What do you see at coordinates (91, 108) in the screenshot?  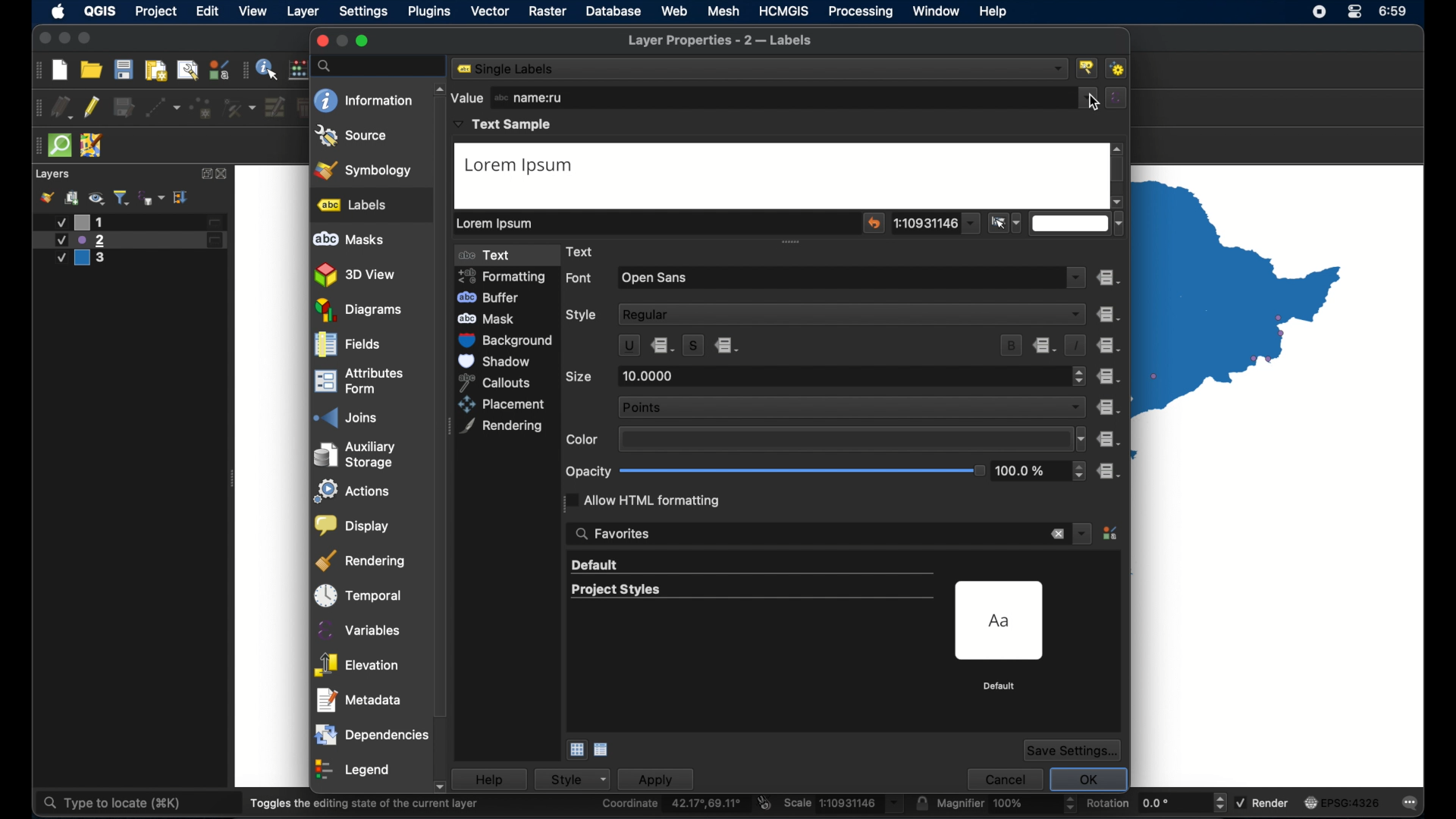 I see `toggle editing` at bounding box center [91, 108].